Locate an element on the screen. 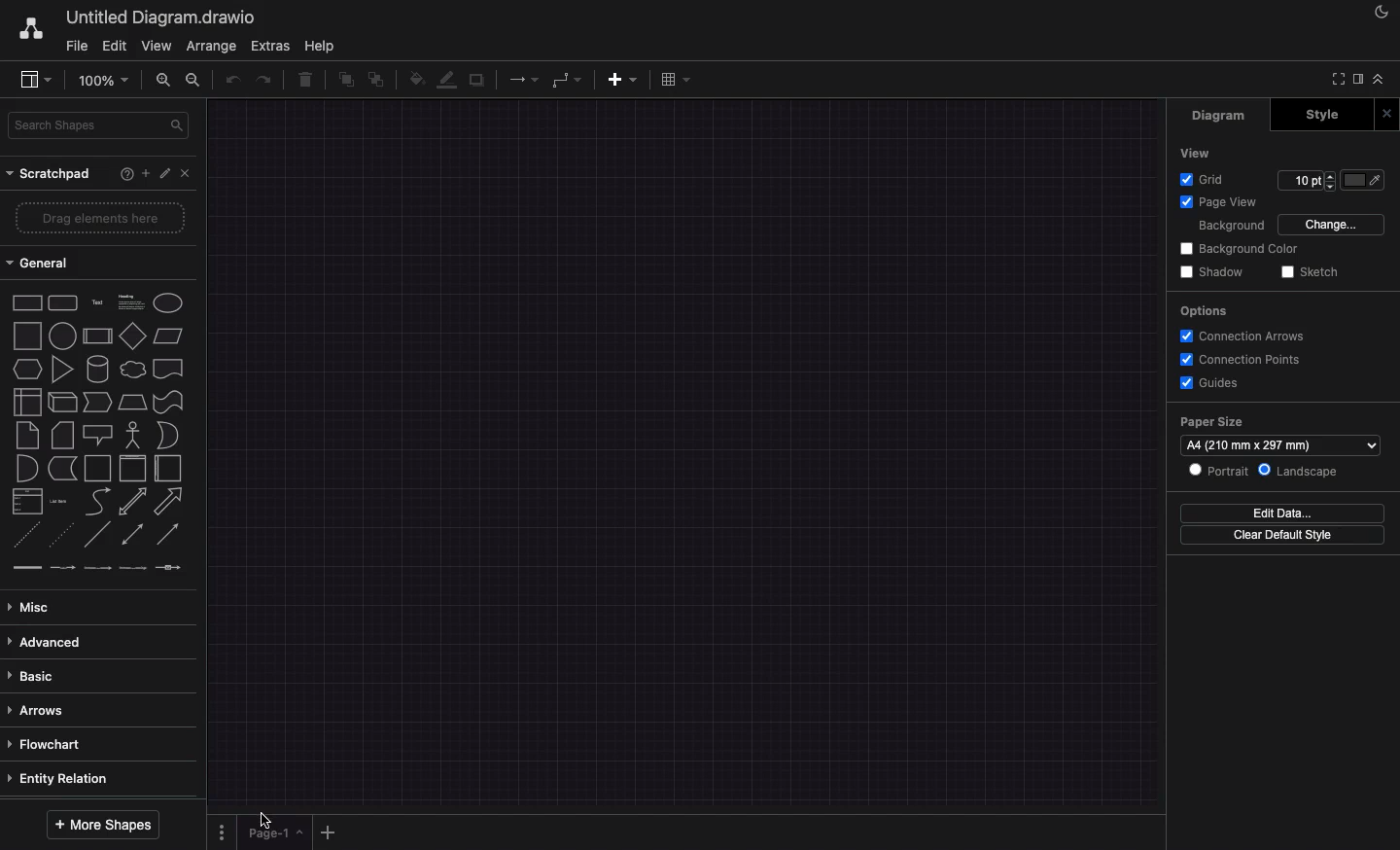 This screenshot has height=850, width=1400. and is located at coordinates (27, 469).